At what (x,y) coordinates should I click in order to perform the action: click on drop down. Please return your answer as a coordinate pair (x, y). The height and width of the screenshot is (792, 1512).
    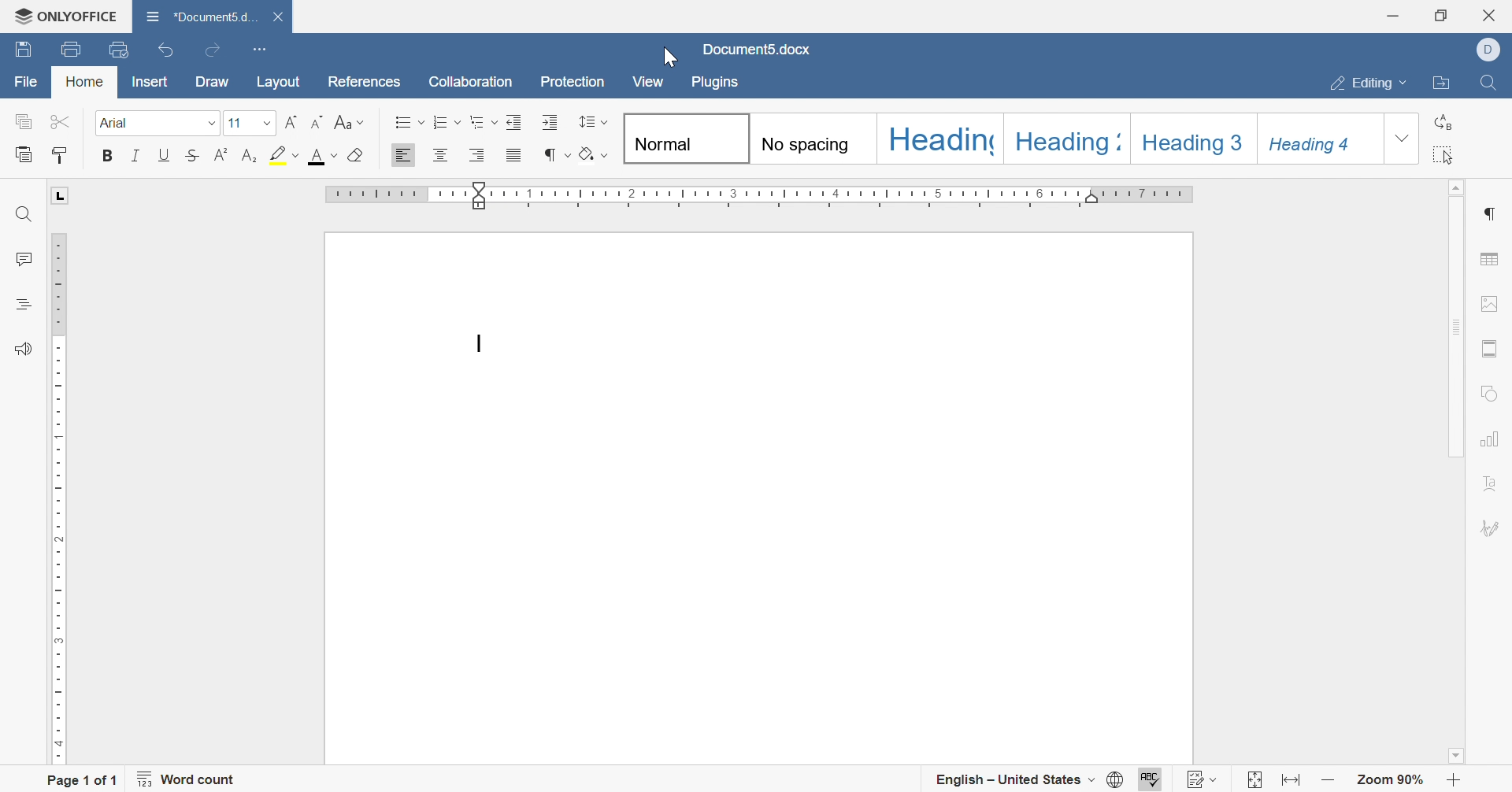
    Looking at the image, I should click on (268, 124).